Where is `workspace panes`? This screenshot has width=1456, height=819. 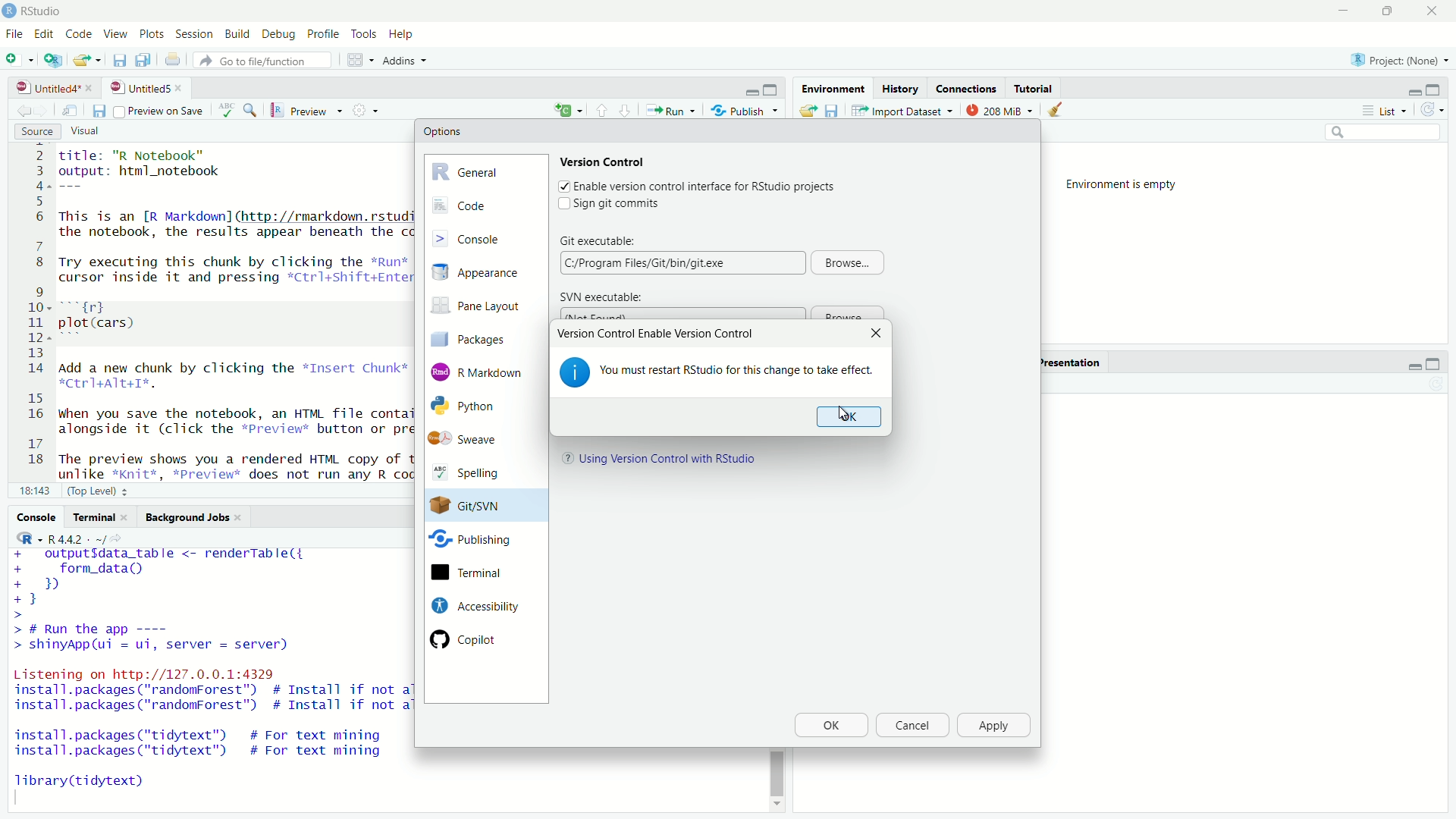 workspace panes is located at coordinates (362, 60).